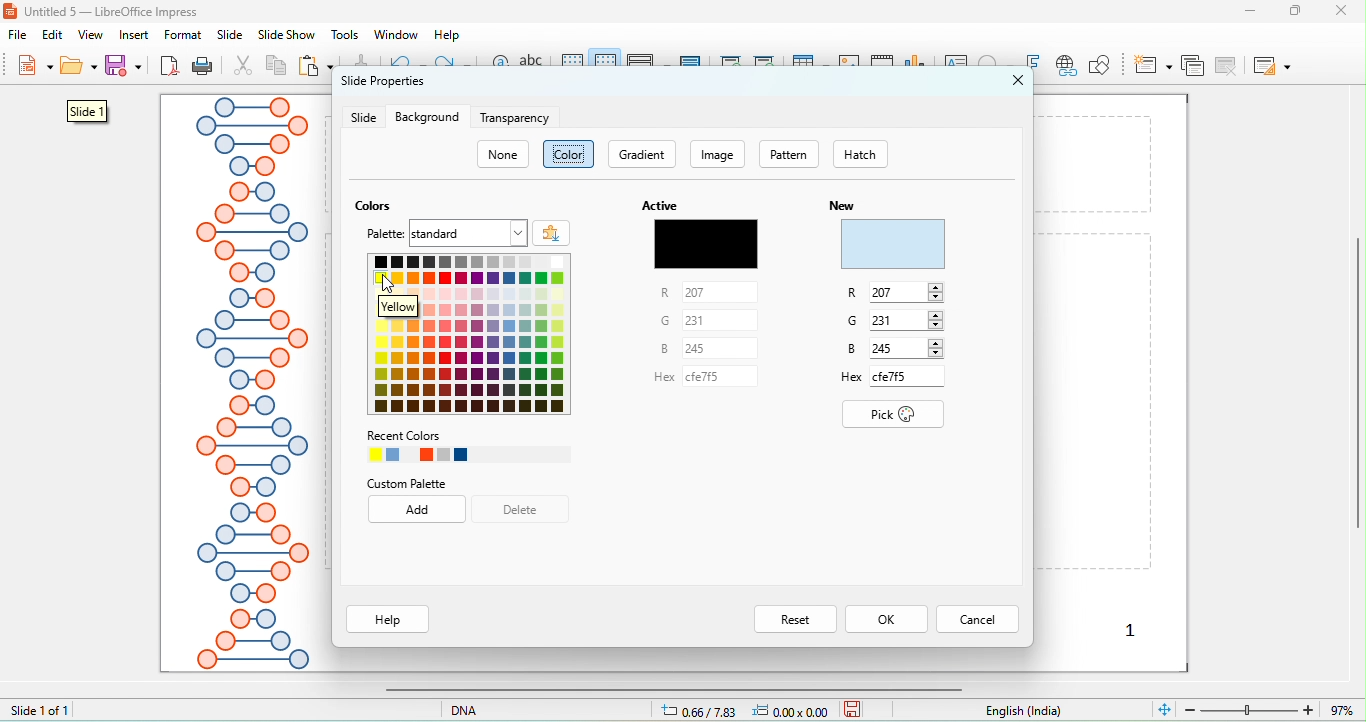 The height and width of the screenshot is (722, 1366). I want to click on view, so click(90, 35).